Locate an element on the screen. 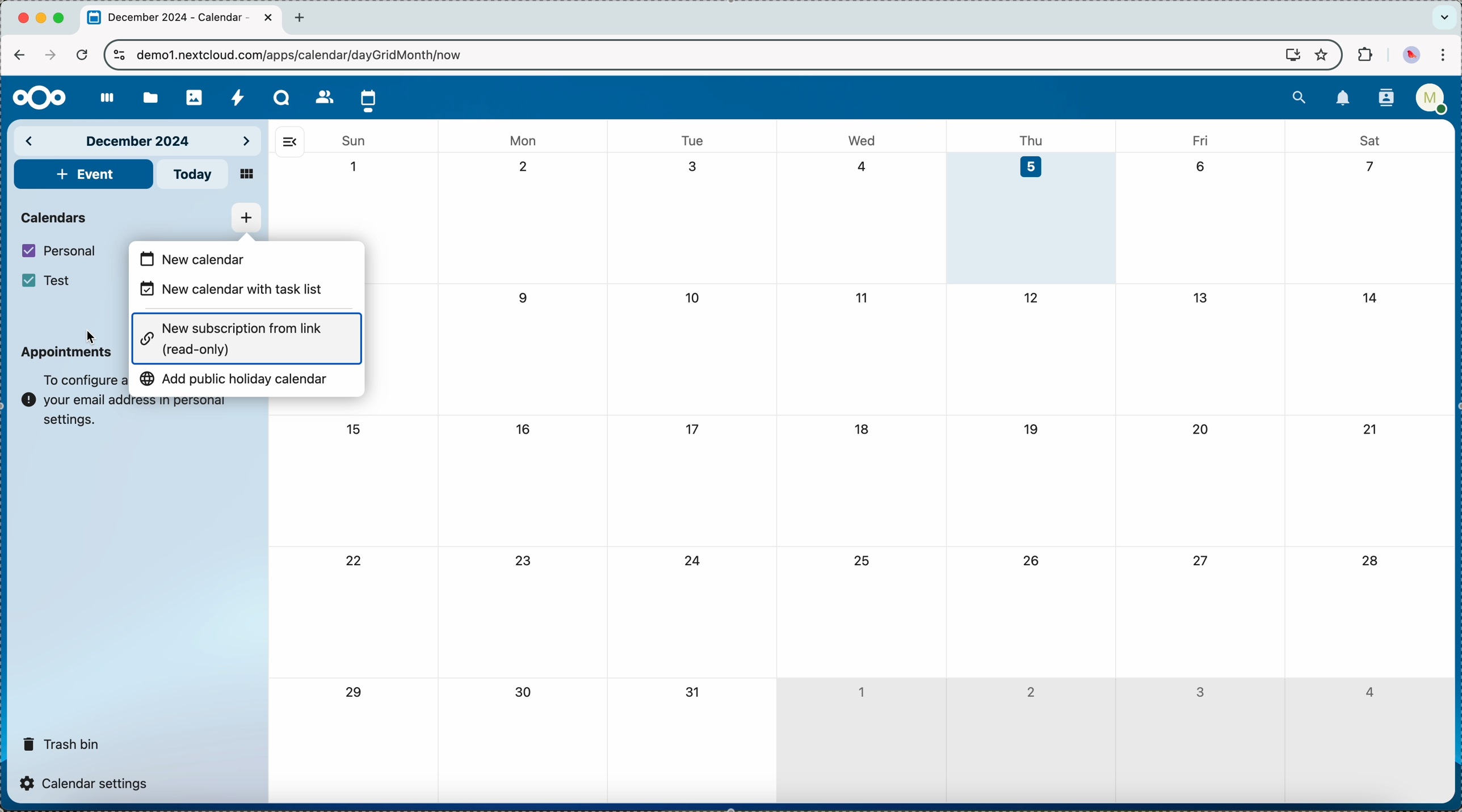 This screenshot has height=812, width=1462. contacts is located at coordinates (1383, 99).